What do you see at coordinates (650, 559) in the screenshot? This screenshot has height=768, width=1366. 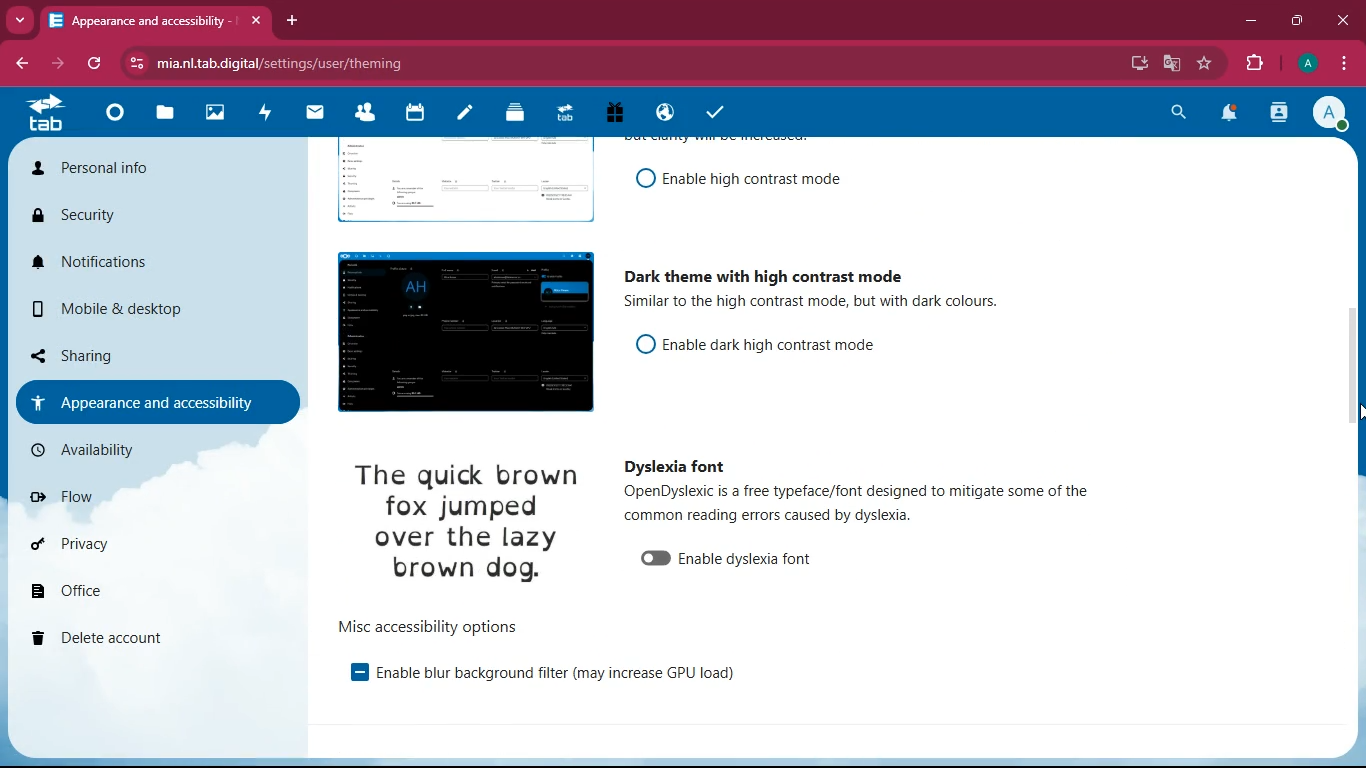 I see `on/off` at bounding box center [650, 559].